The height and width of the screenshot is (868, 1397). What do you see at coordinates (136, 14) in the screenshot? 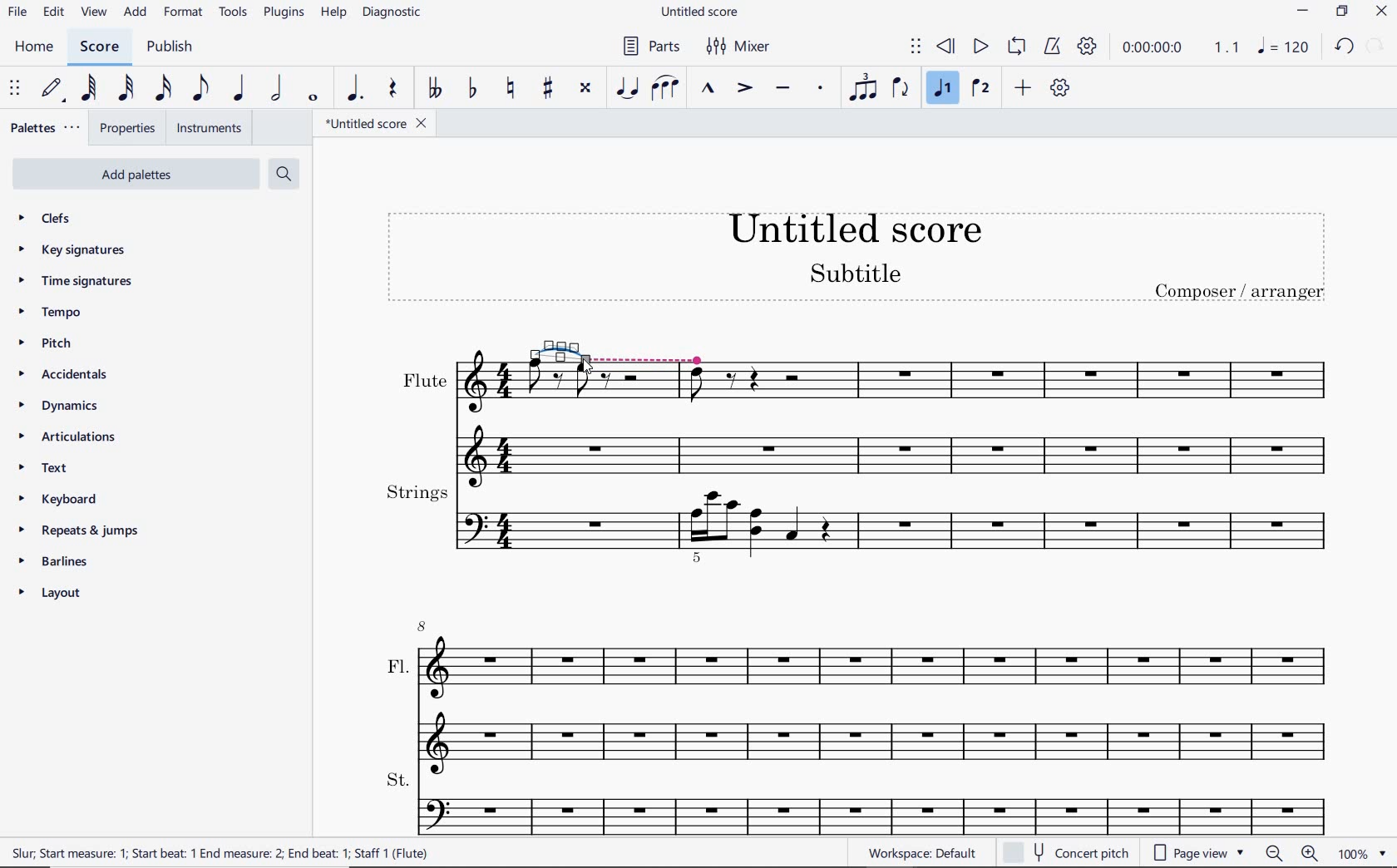
I see `add` at bounding box center [136, 14].